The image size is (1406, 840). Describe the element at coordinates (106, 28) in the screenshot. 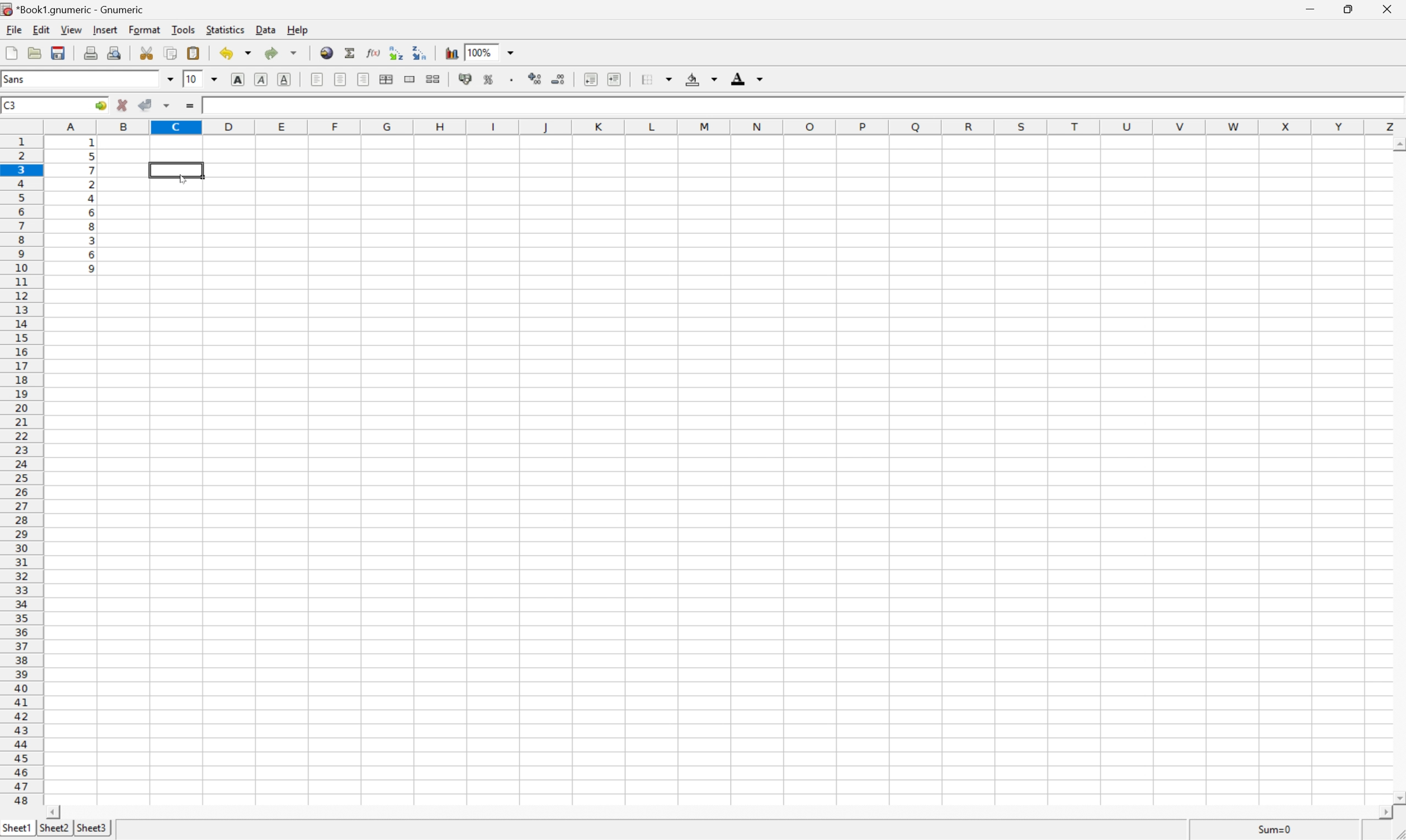

I see `insert` at that location.